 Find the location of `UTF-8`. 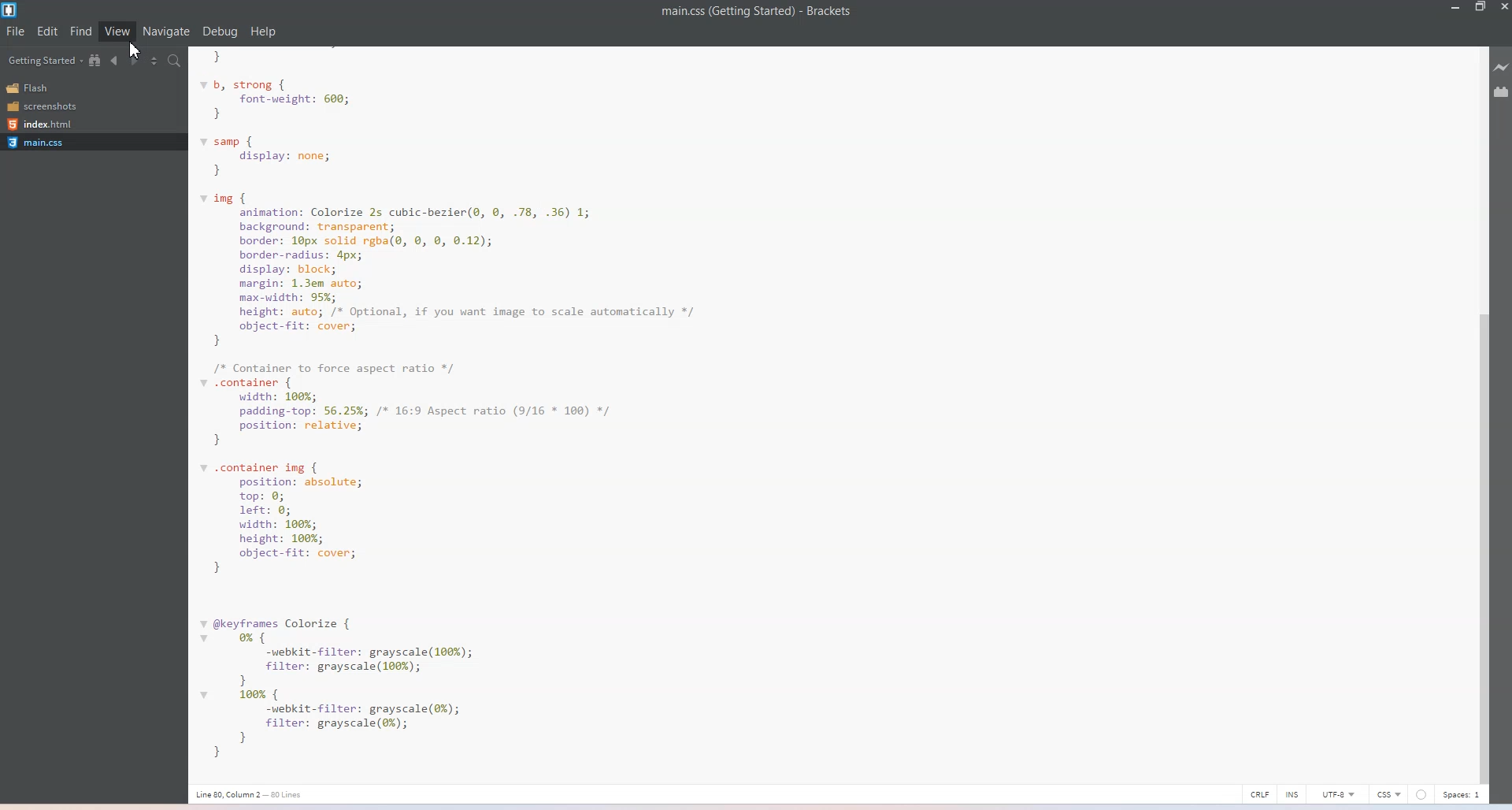

UTF-8 is located at coordinates (1340, 794).